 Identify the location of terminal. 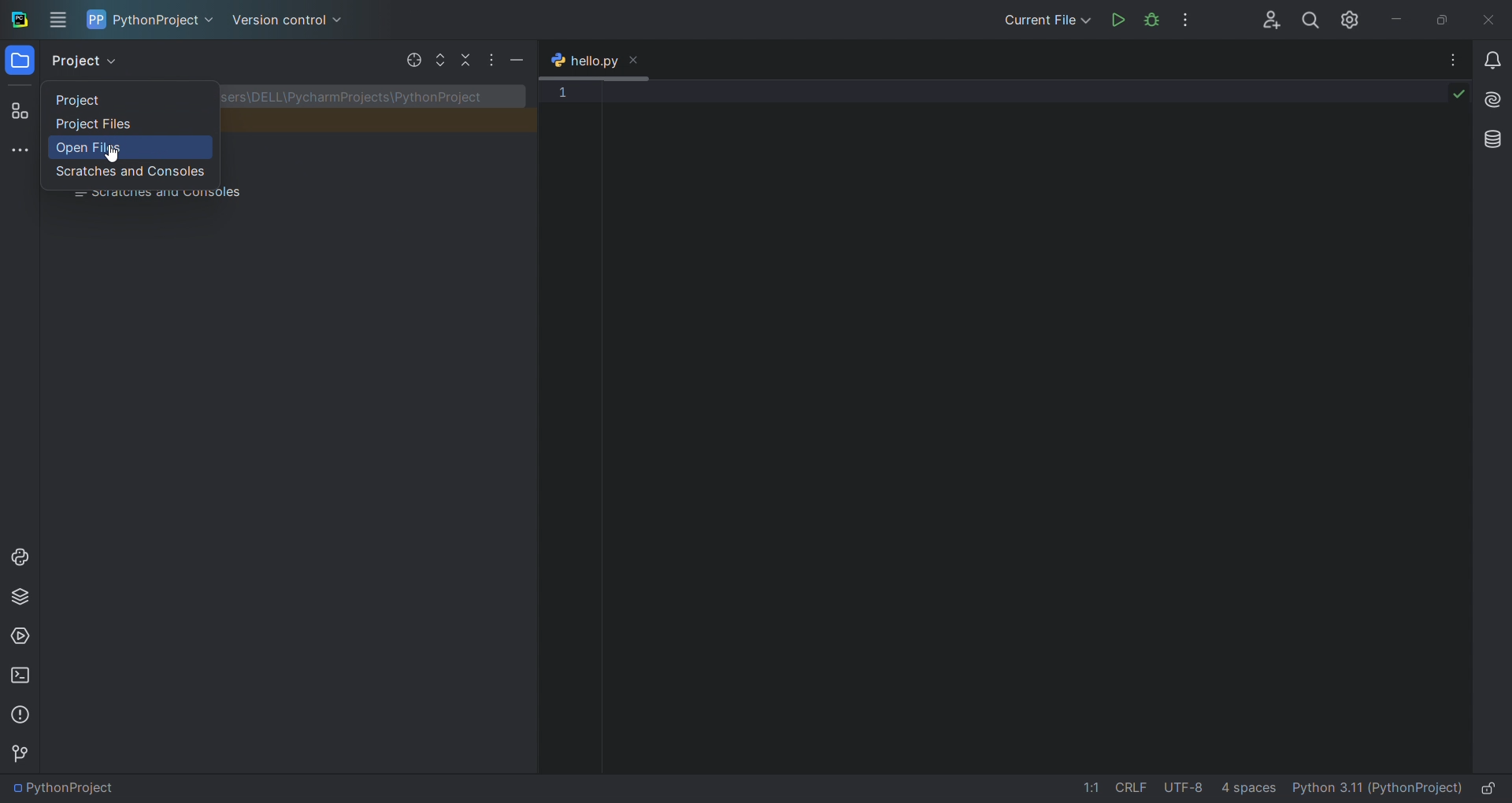
(20, 679).